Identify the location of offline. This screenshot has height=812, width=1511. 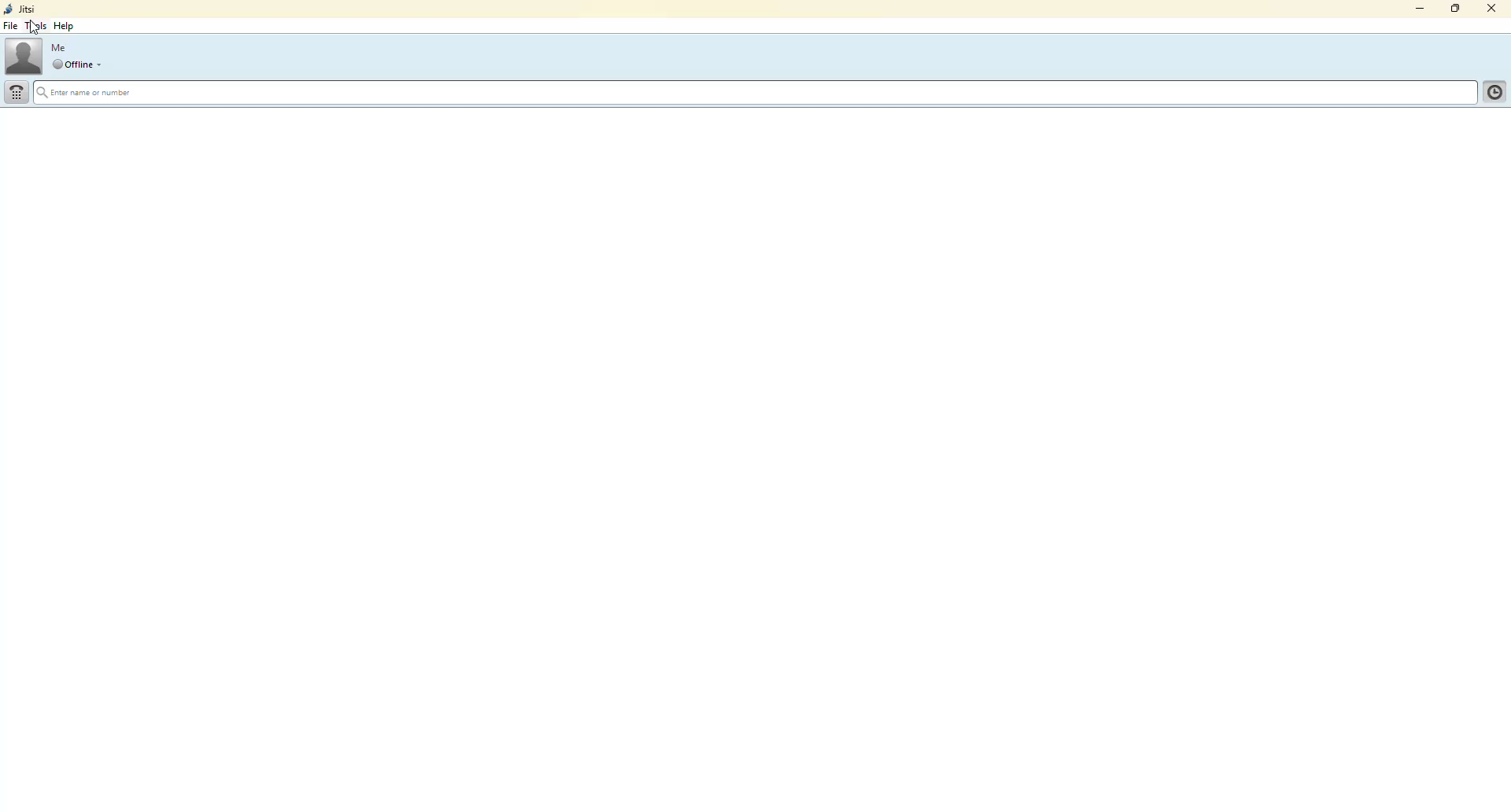
(72, 65).